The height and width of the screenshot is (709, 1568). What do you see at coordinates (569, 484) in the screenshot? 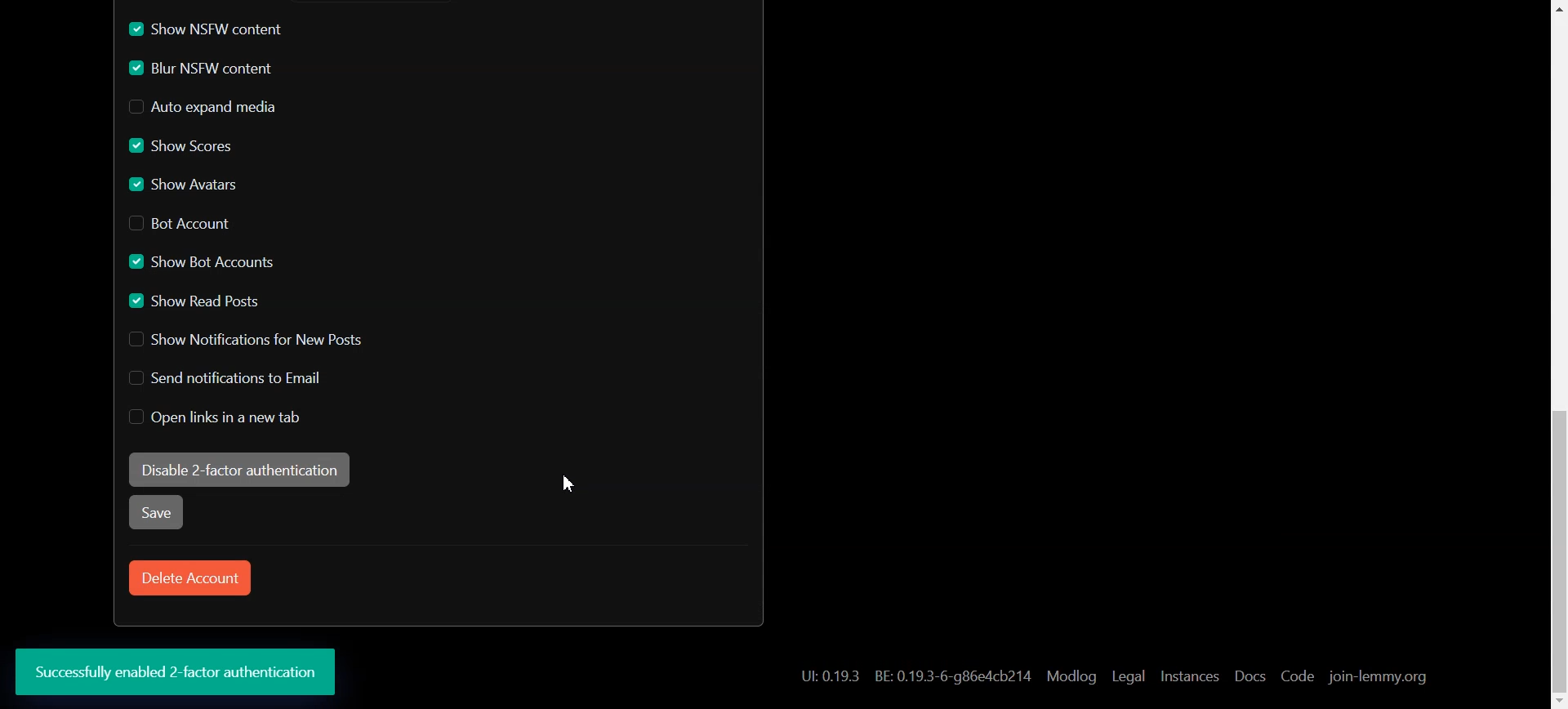
I see `Cursor` at bounding box center [569, 484].